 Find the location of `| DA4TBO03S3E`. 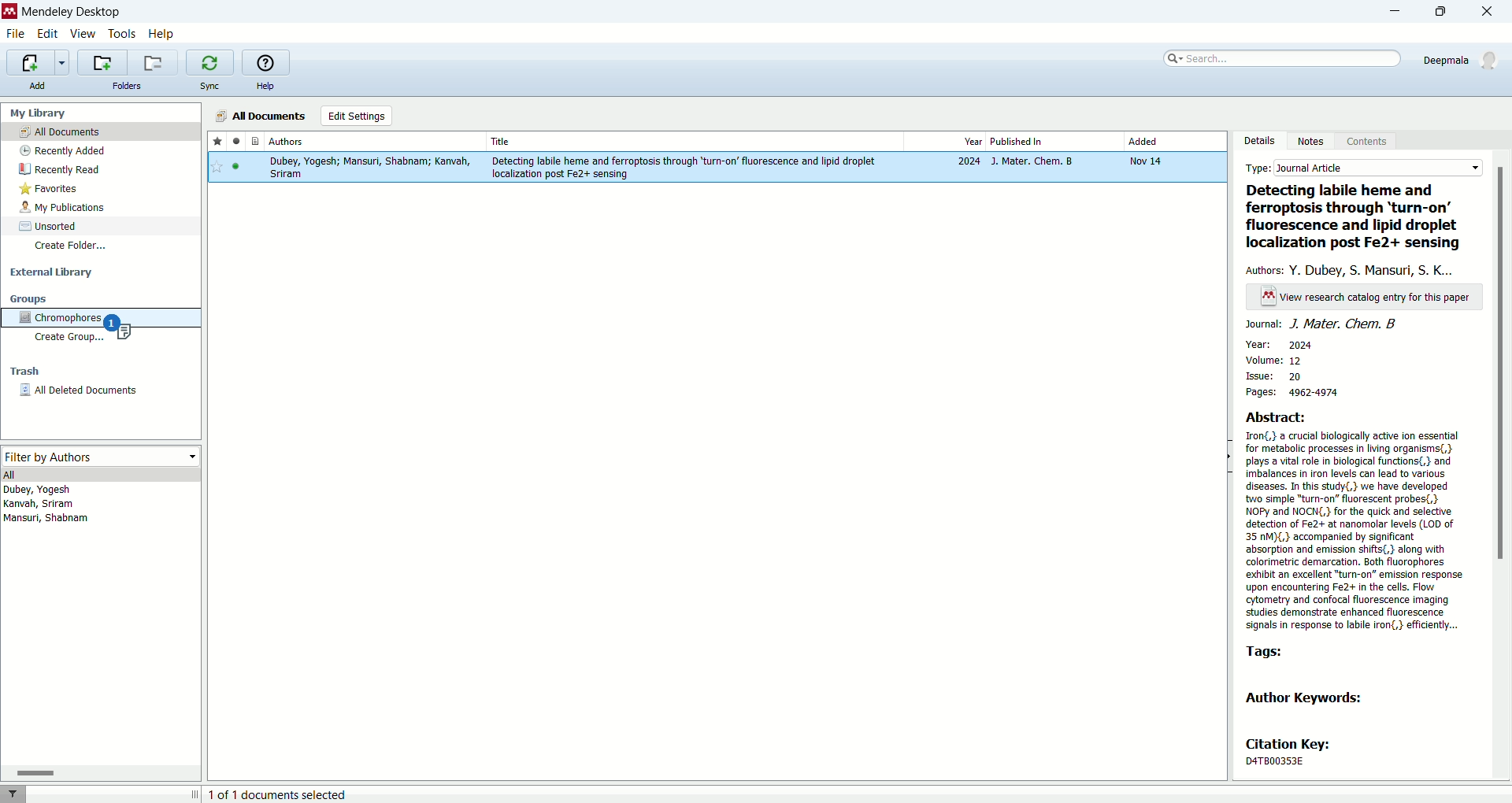

| DA4TBO03S3E is located at coordinates (1289, 760).